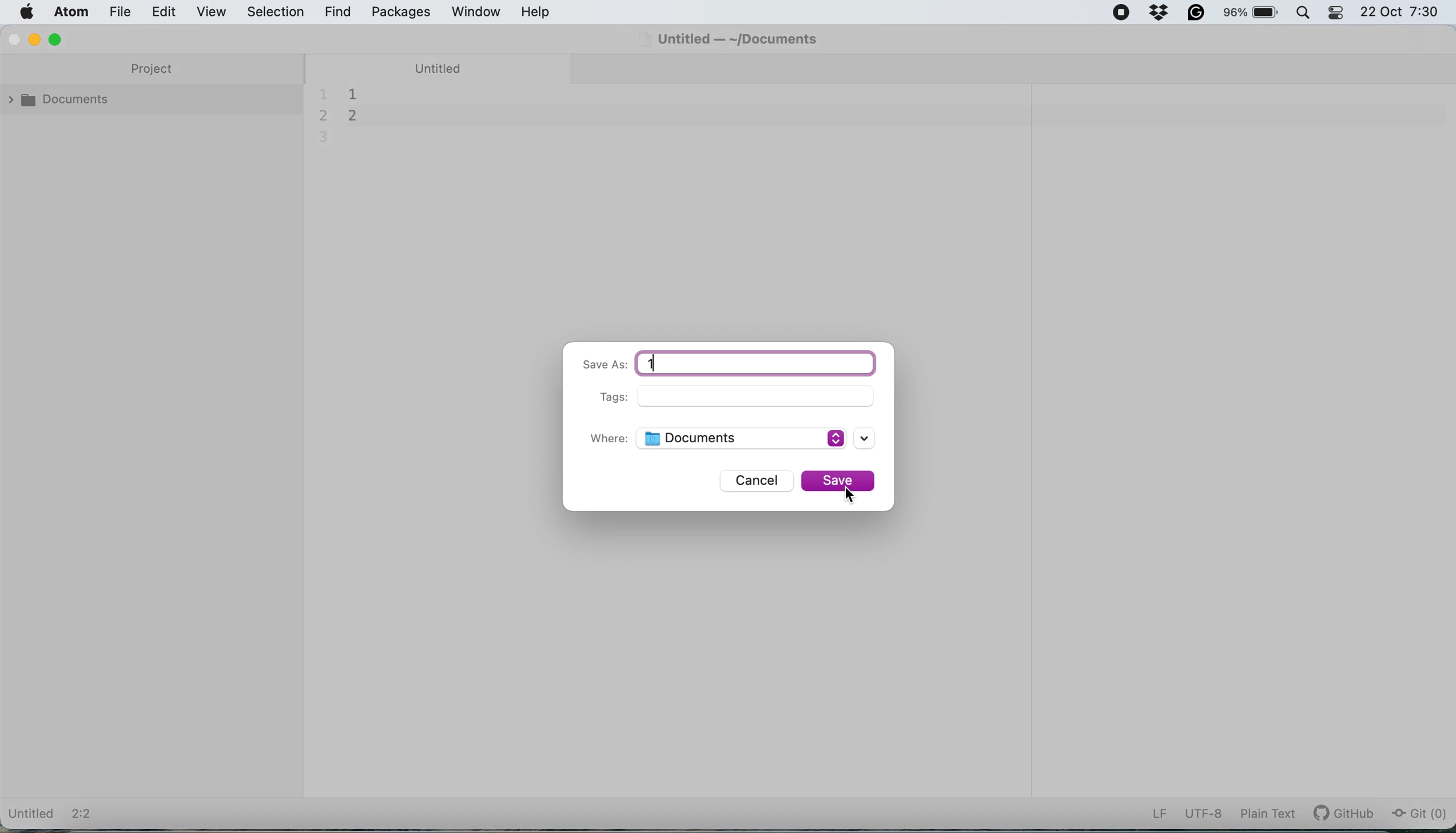 The width and height of the screenshot is (1456, 833). I want to click on maximise, so click(57, 39).